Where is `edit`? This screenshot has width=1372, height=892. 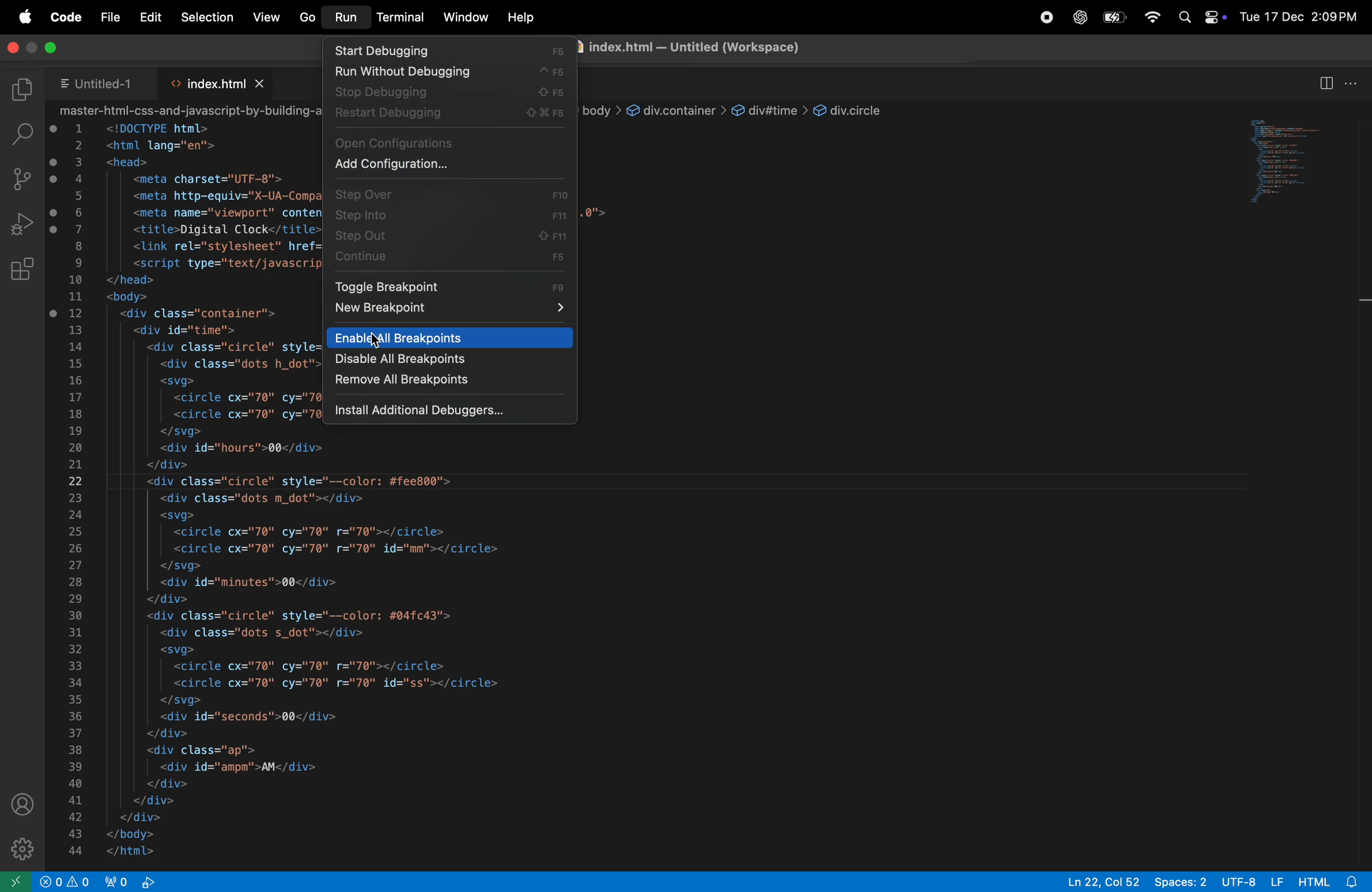
edit is located at coordinates (152, 18).